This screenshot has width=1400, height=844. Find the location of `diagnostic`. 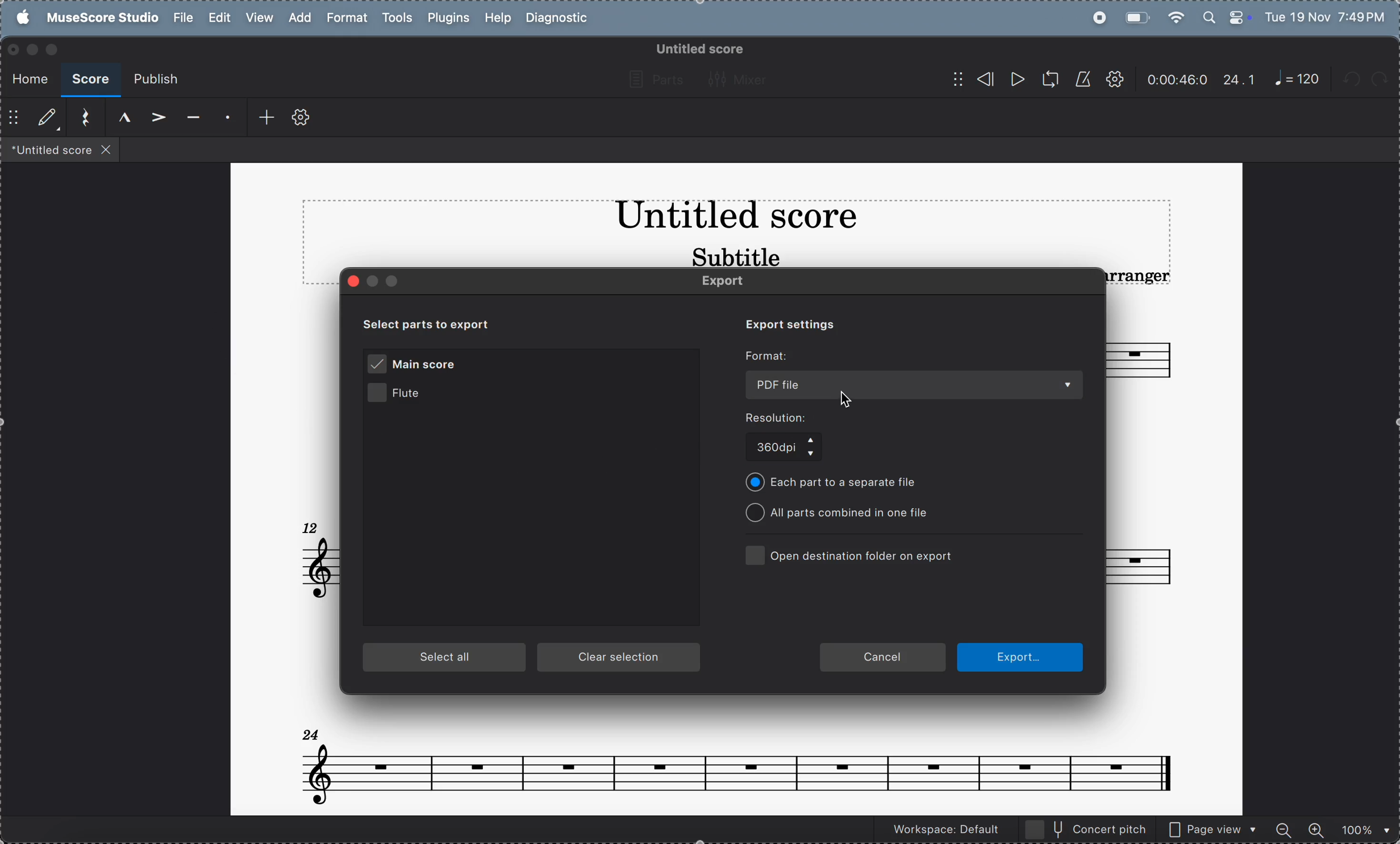

diagnostic is located at coordinates (560, 19).